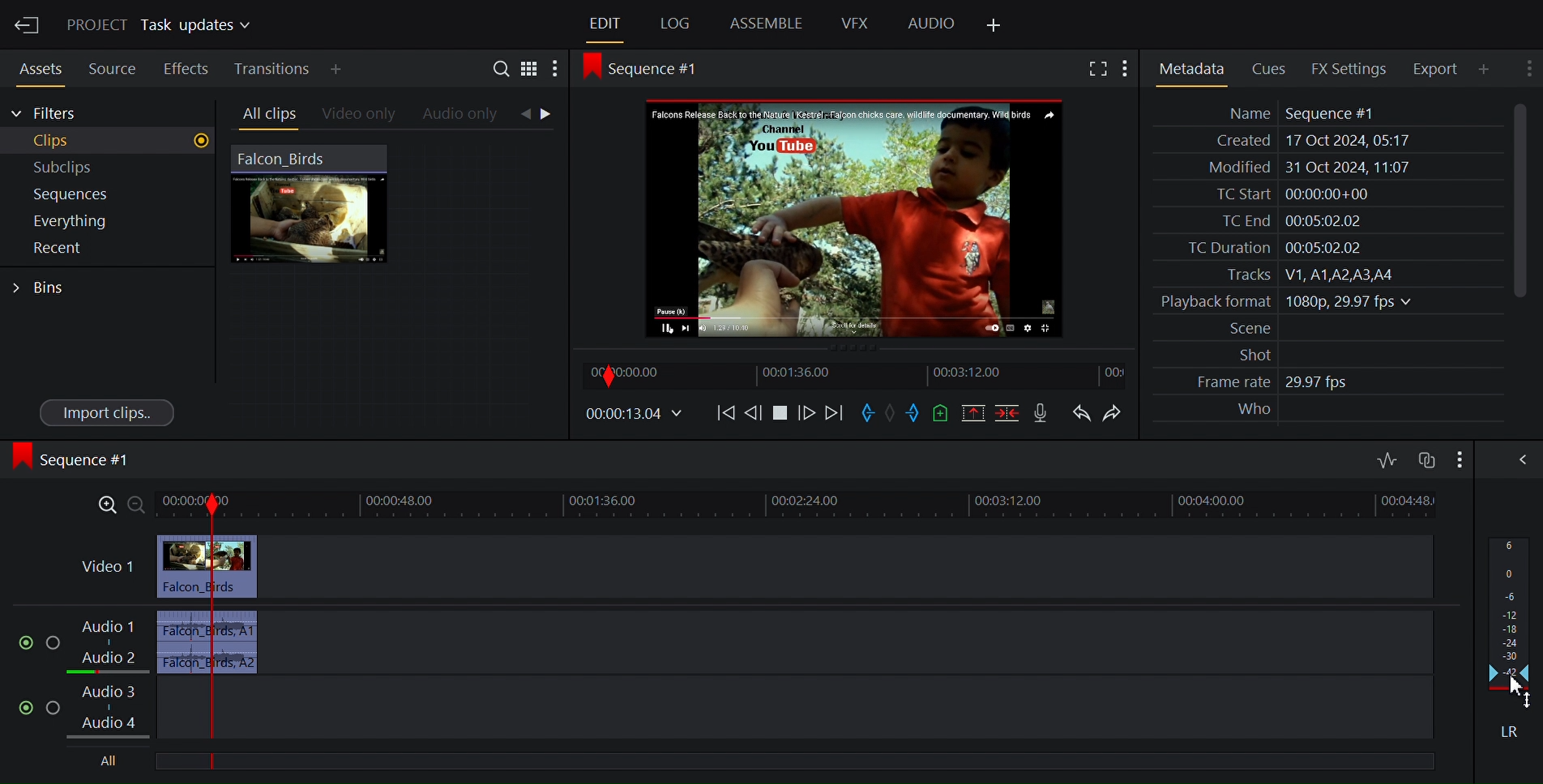 The height and width of the screenshot is (784, 1543). Describe the element at coordinates (855, 374) in the screenshot. I see `Timeline` at that location.